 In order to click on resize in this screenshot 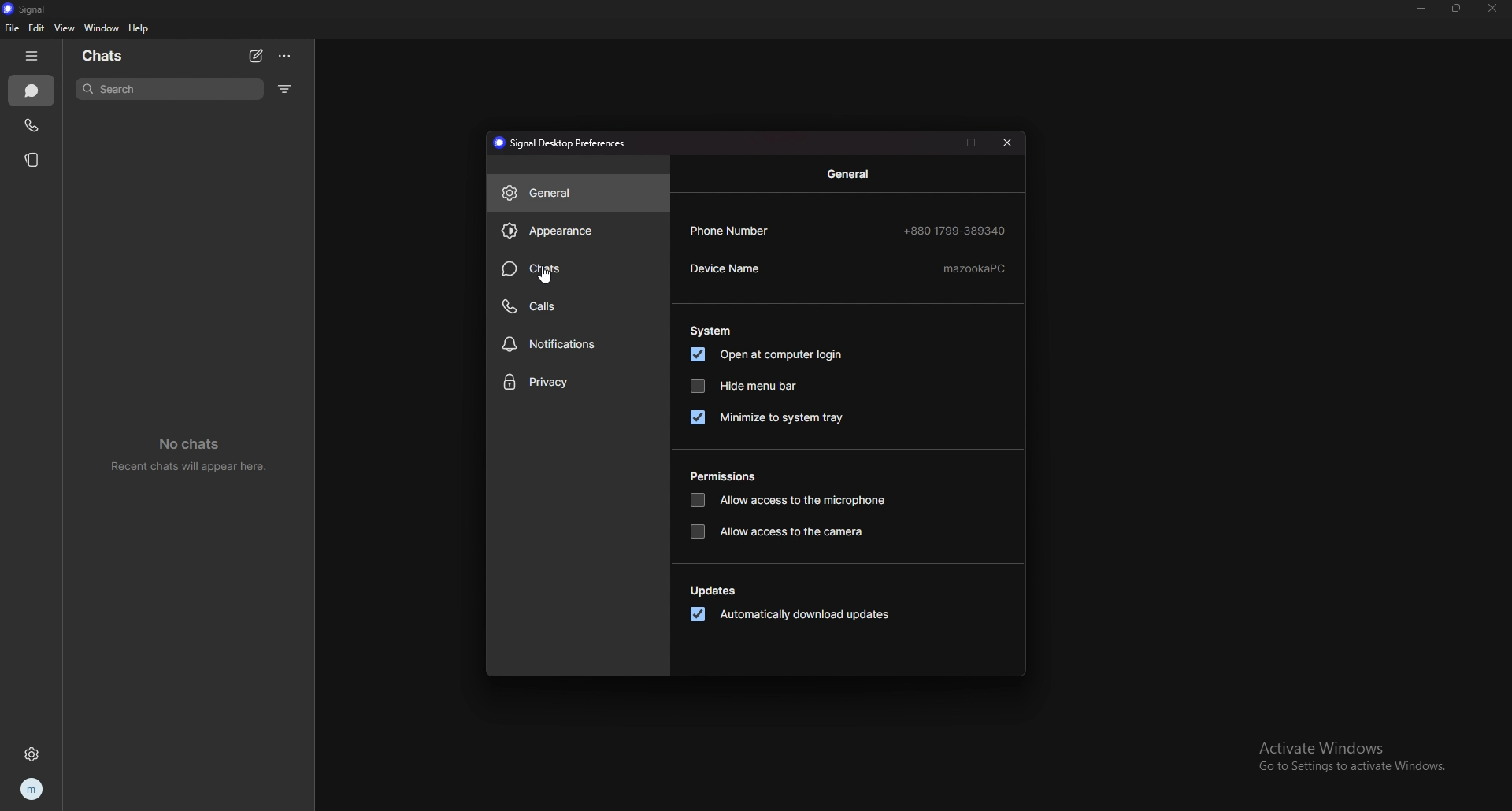, I will do `click(1457, 7)`.